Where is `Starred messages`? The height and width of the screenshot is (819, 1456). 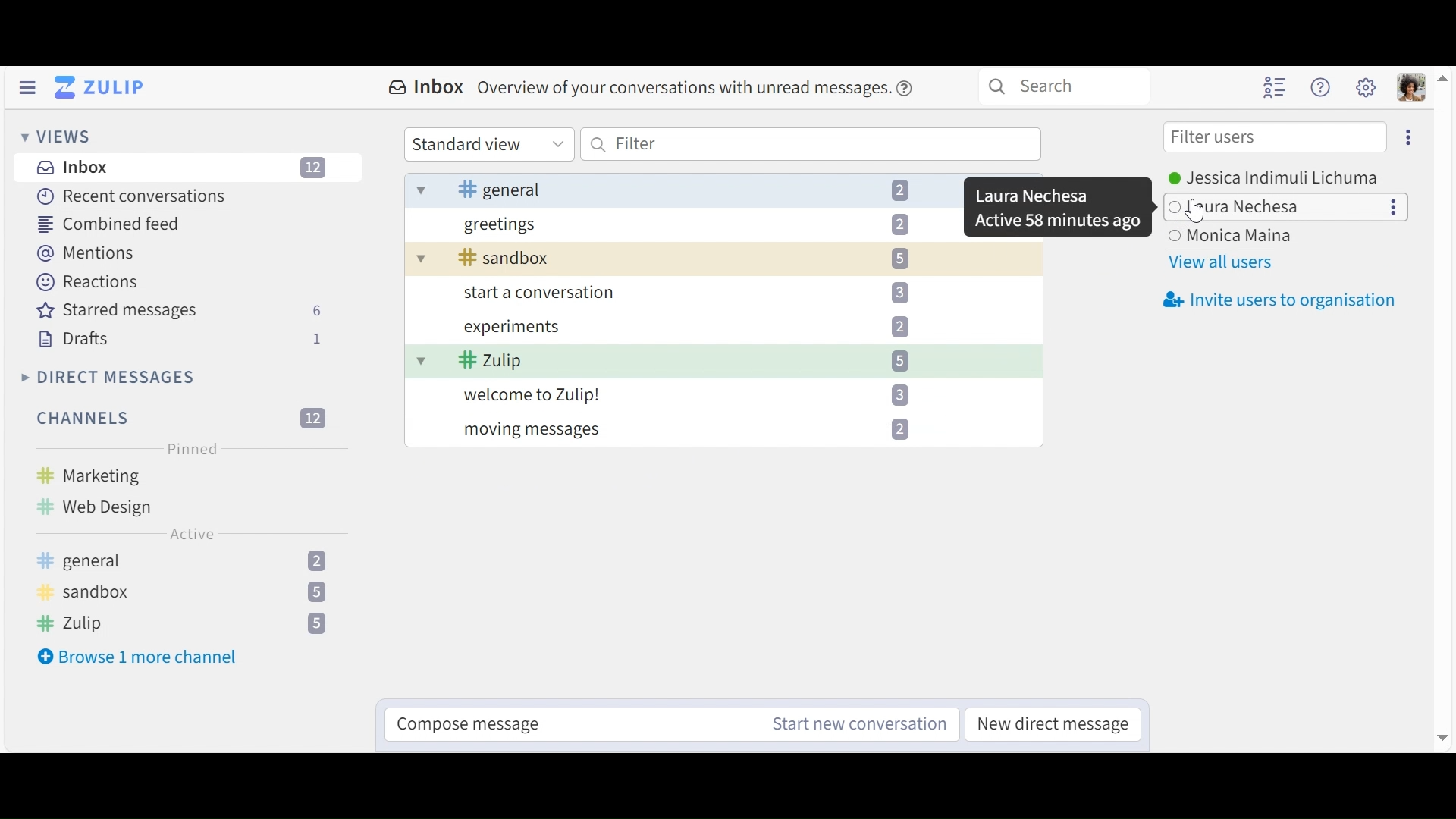
Starred messages is located at coordinates (180, 311).